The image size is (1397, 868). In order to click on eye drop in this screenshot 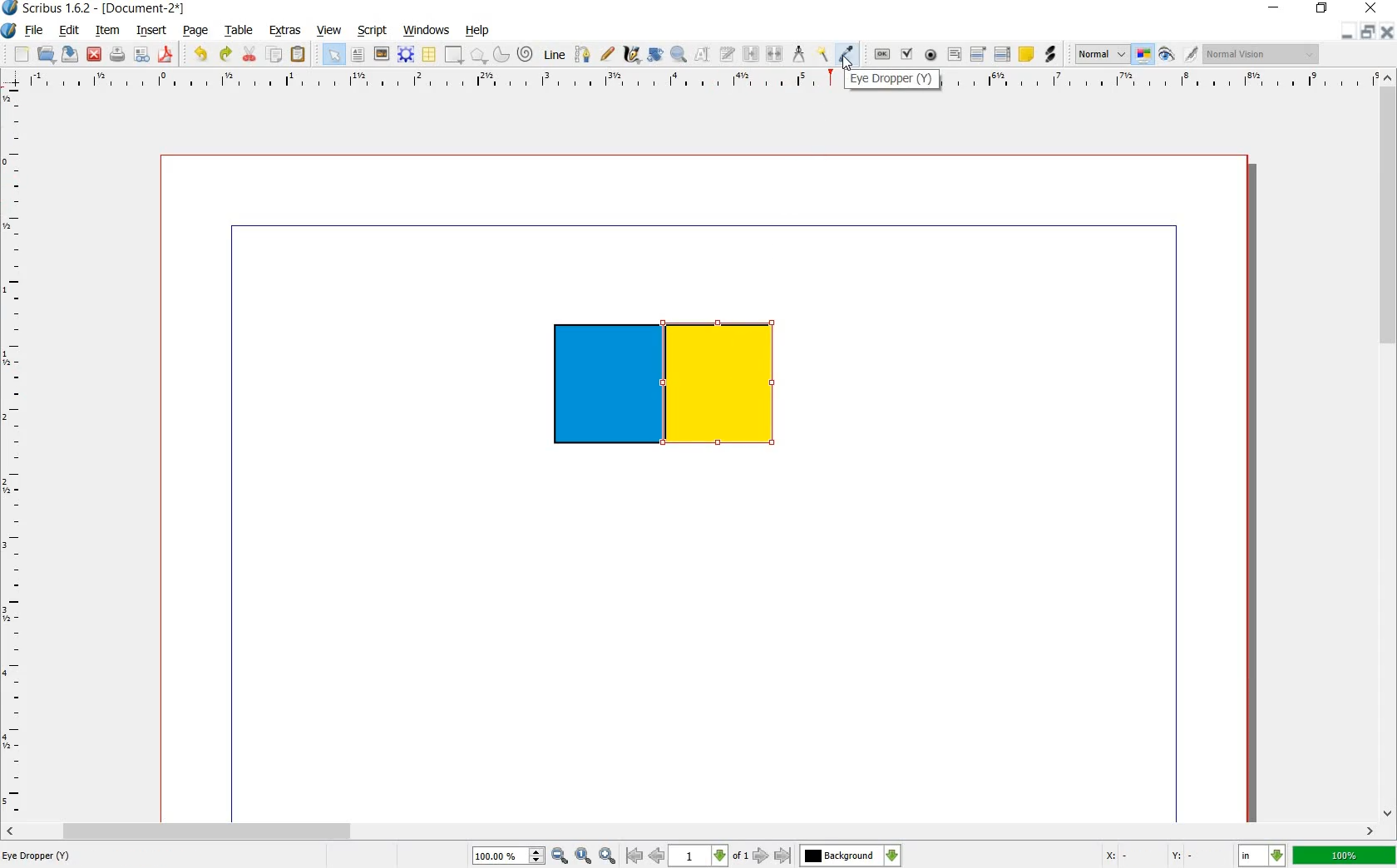, I will do `click(847, 53)`.